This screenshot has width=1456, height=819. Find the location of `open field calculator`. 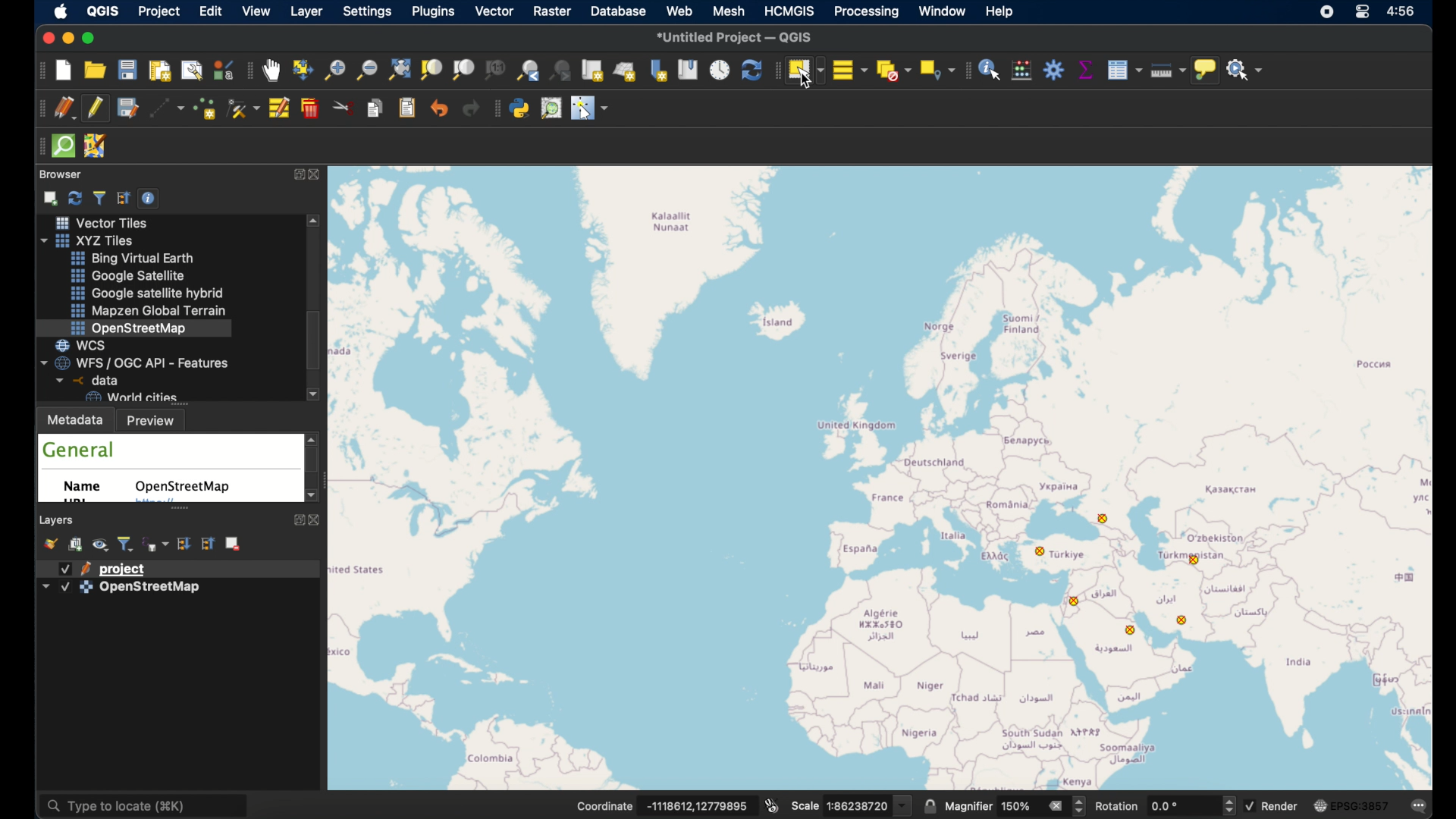

open field calculator is located at coordinates (1022, 70).